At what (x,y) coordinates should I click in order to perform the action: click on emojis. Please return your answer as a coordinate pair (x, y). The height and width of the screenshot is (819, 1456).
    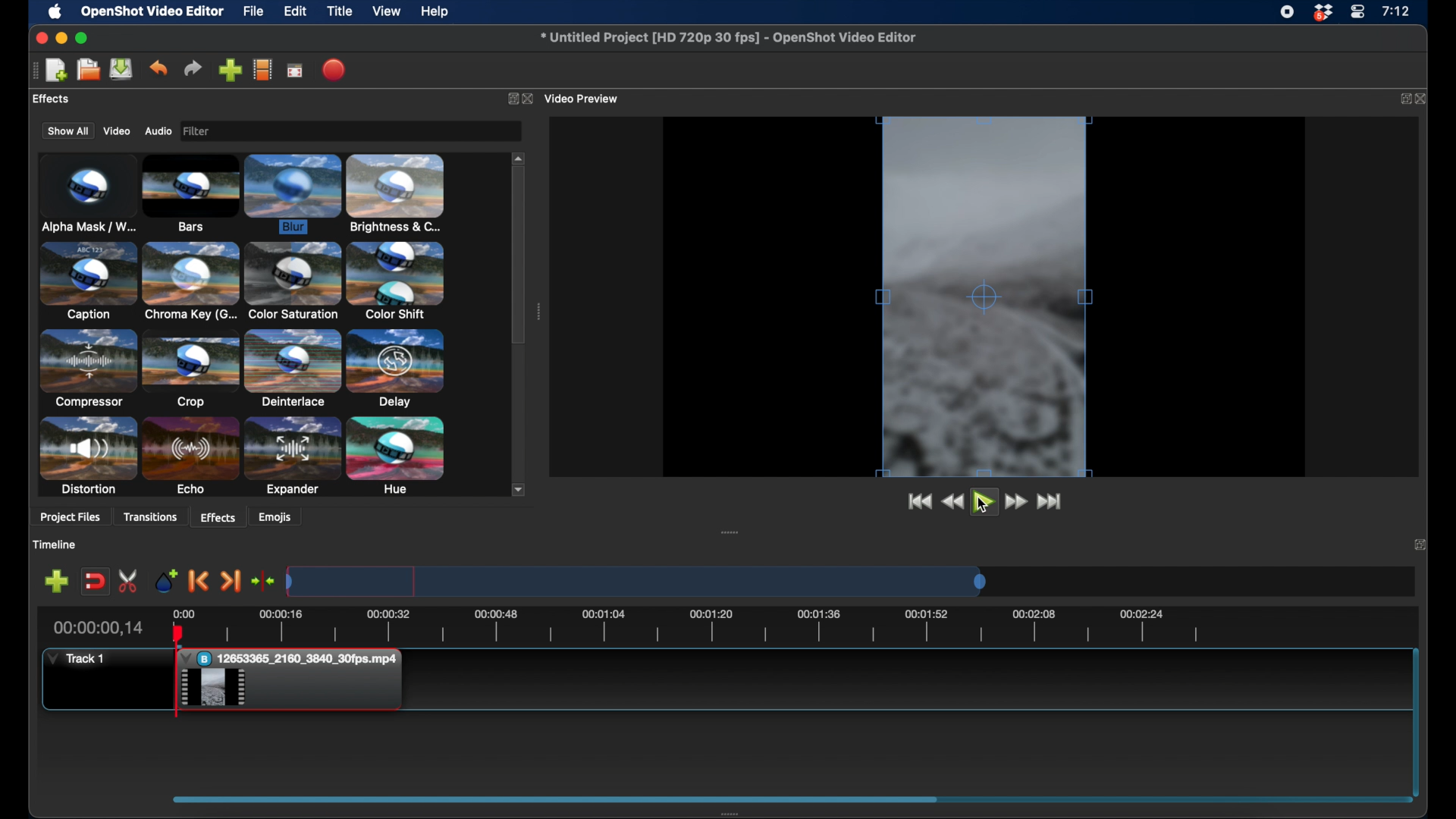
    Looking at the image, I should click on (276, 516).